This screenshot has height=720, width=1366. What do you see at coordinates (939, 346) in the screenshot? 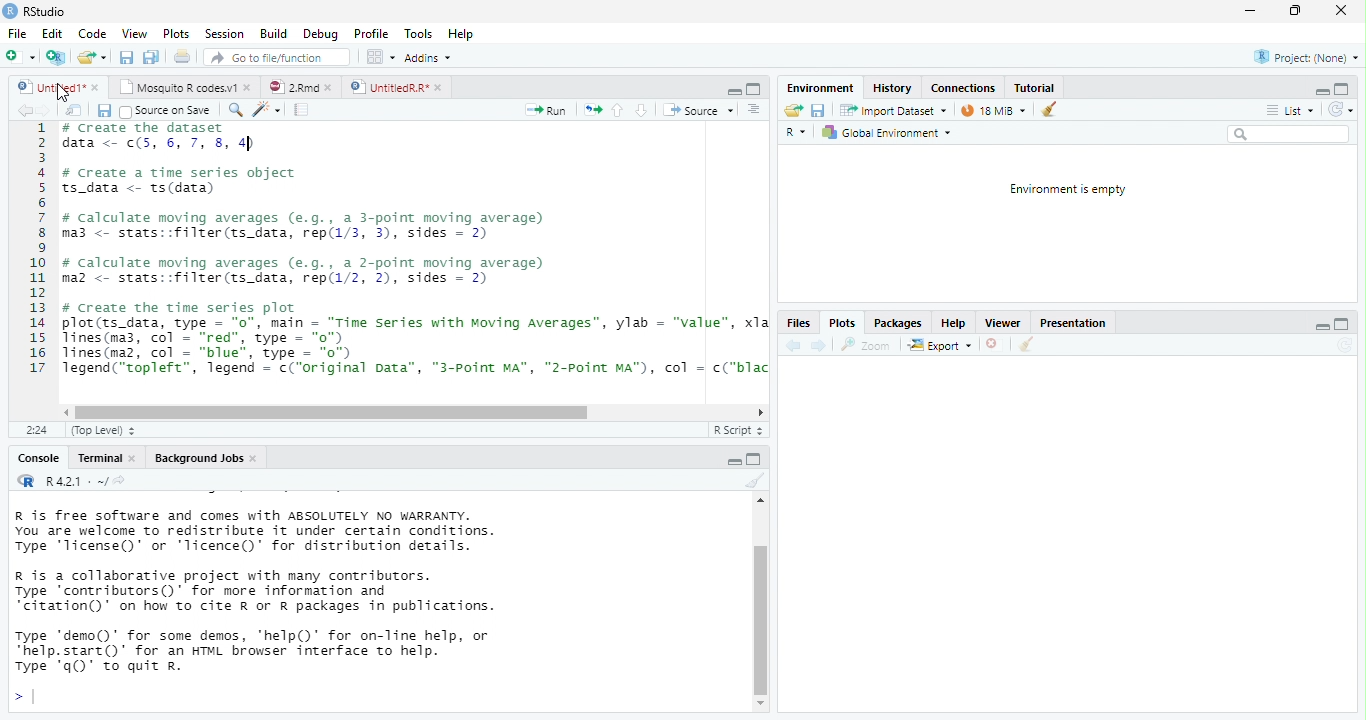
I see `export` at bounding box center [939, 346].